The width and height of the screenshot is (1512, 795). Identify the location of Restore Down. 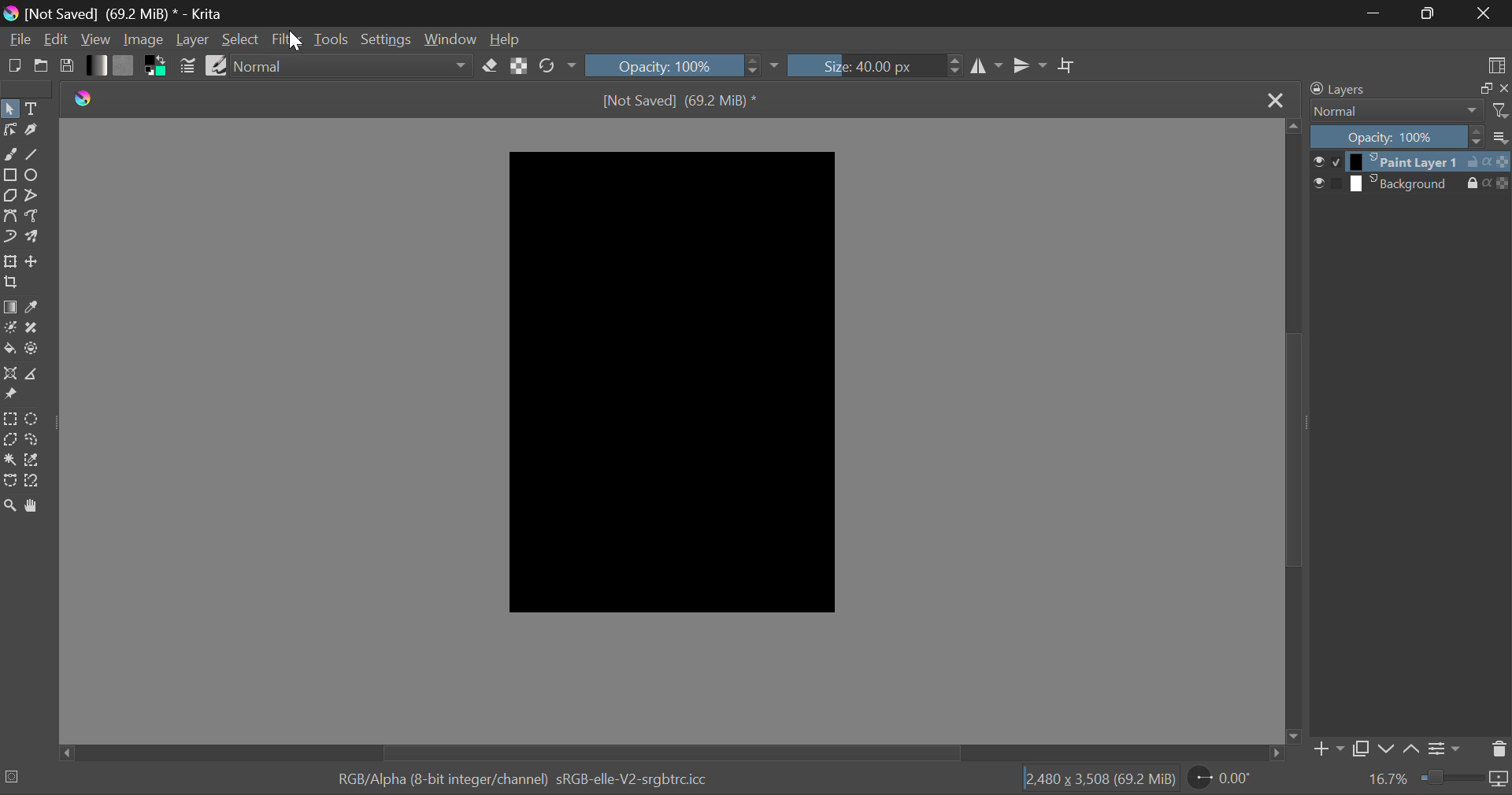
(1376, 13).